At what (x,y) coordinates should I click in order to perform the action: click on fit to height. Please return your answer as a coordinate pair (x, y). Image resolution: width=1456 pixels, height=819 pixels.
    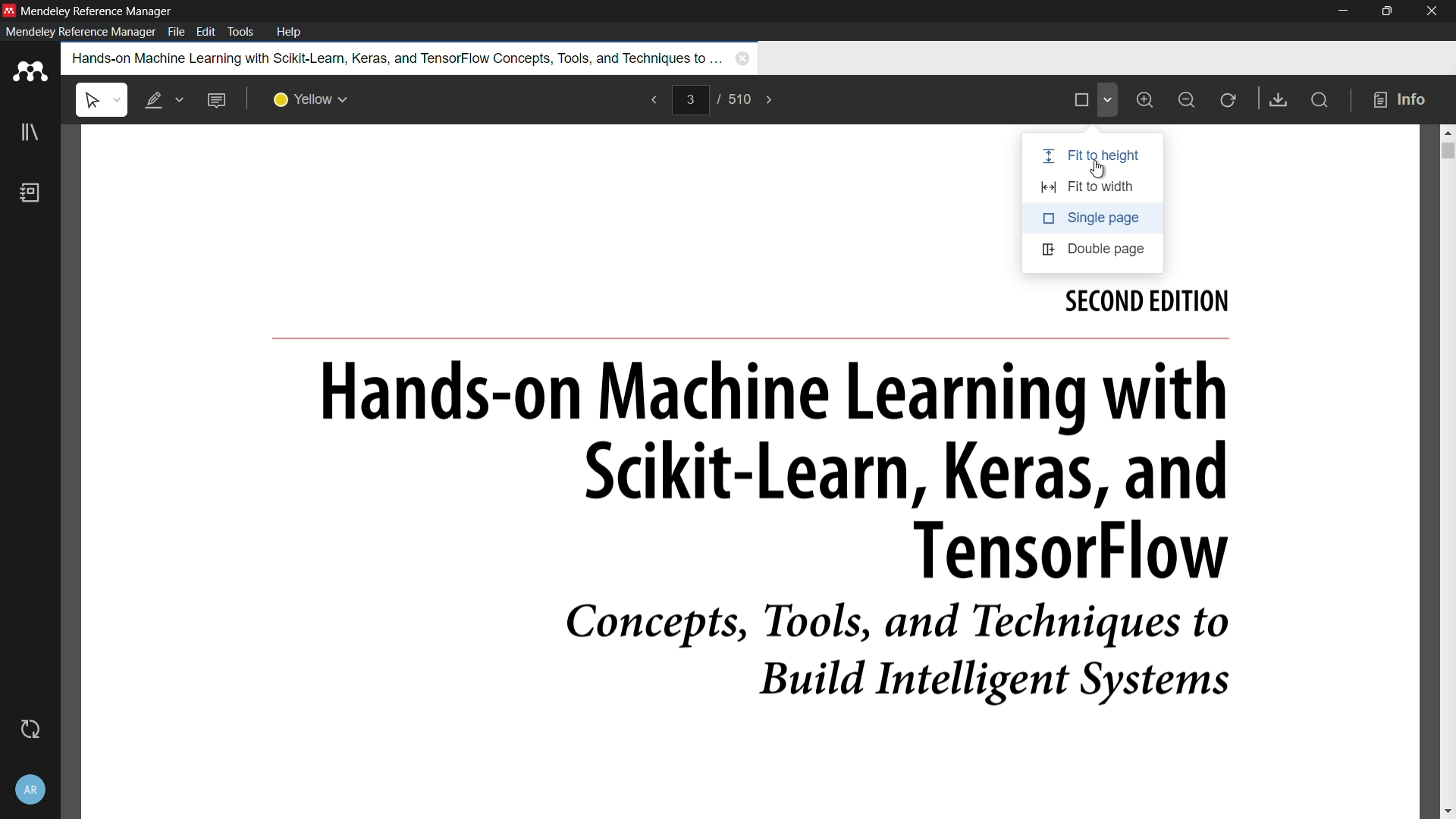
    Looking at the image, I should click on (1093, 158).